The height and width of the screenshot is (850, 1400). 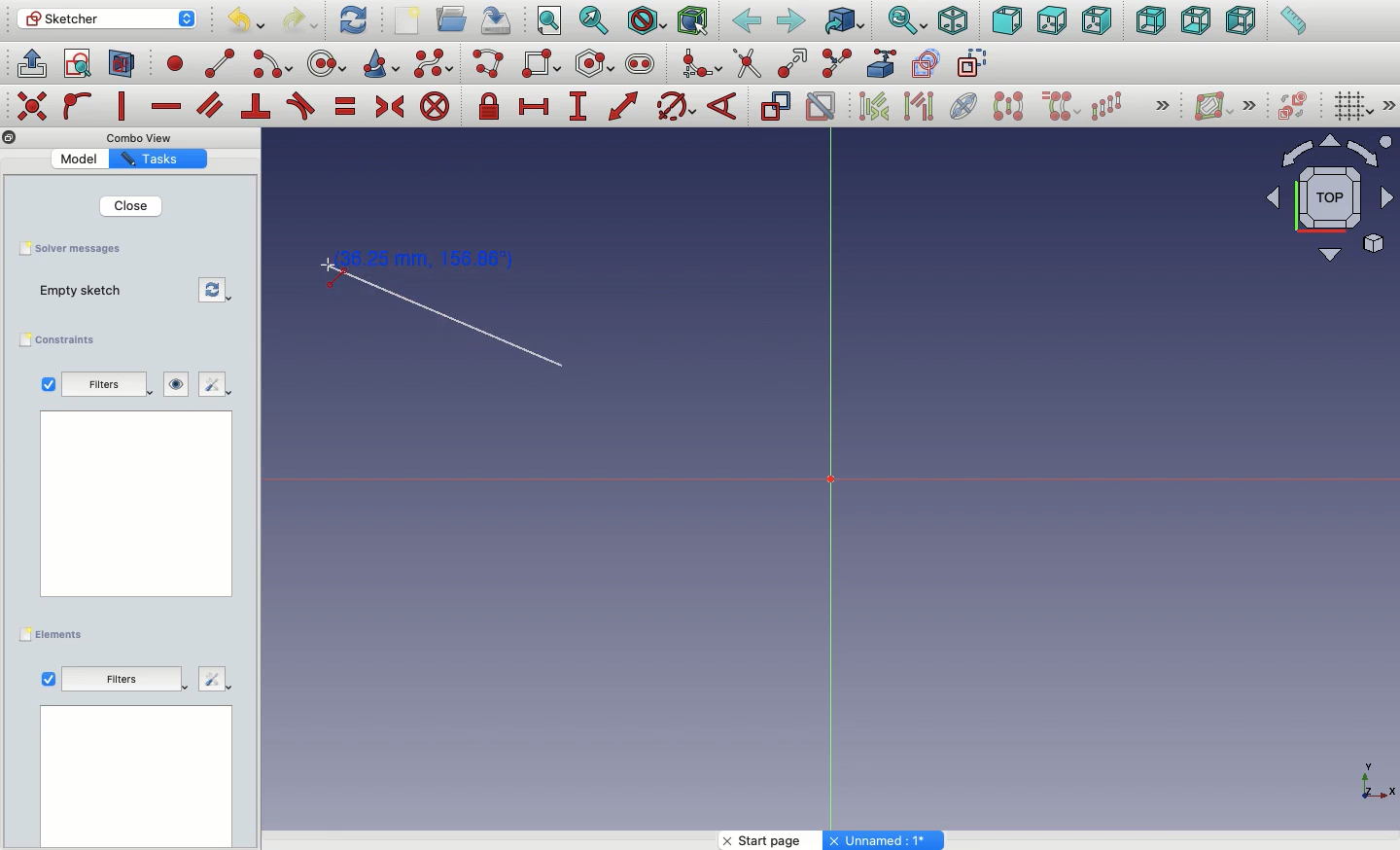 What do you see at coordinates (346, 110) in the screenshot?
I see `Constrain equal` at bounding box center [346, 110].